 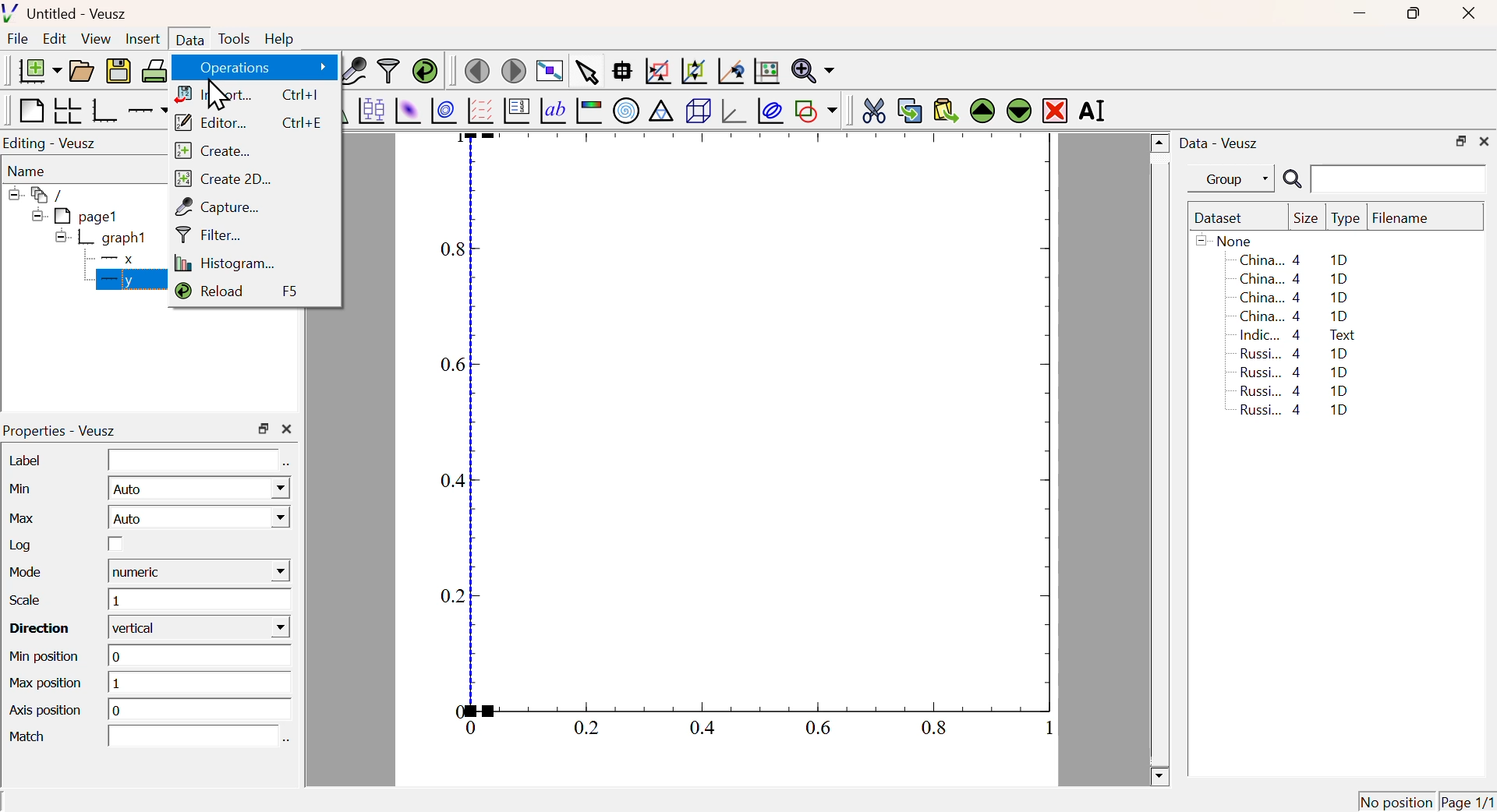 I want to click on Plot 2D set as contours, so click(x=444, y=111).